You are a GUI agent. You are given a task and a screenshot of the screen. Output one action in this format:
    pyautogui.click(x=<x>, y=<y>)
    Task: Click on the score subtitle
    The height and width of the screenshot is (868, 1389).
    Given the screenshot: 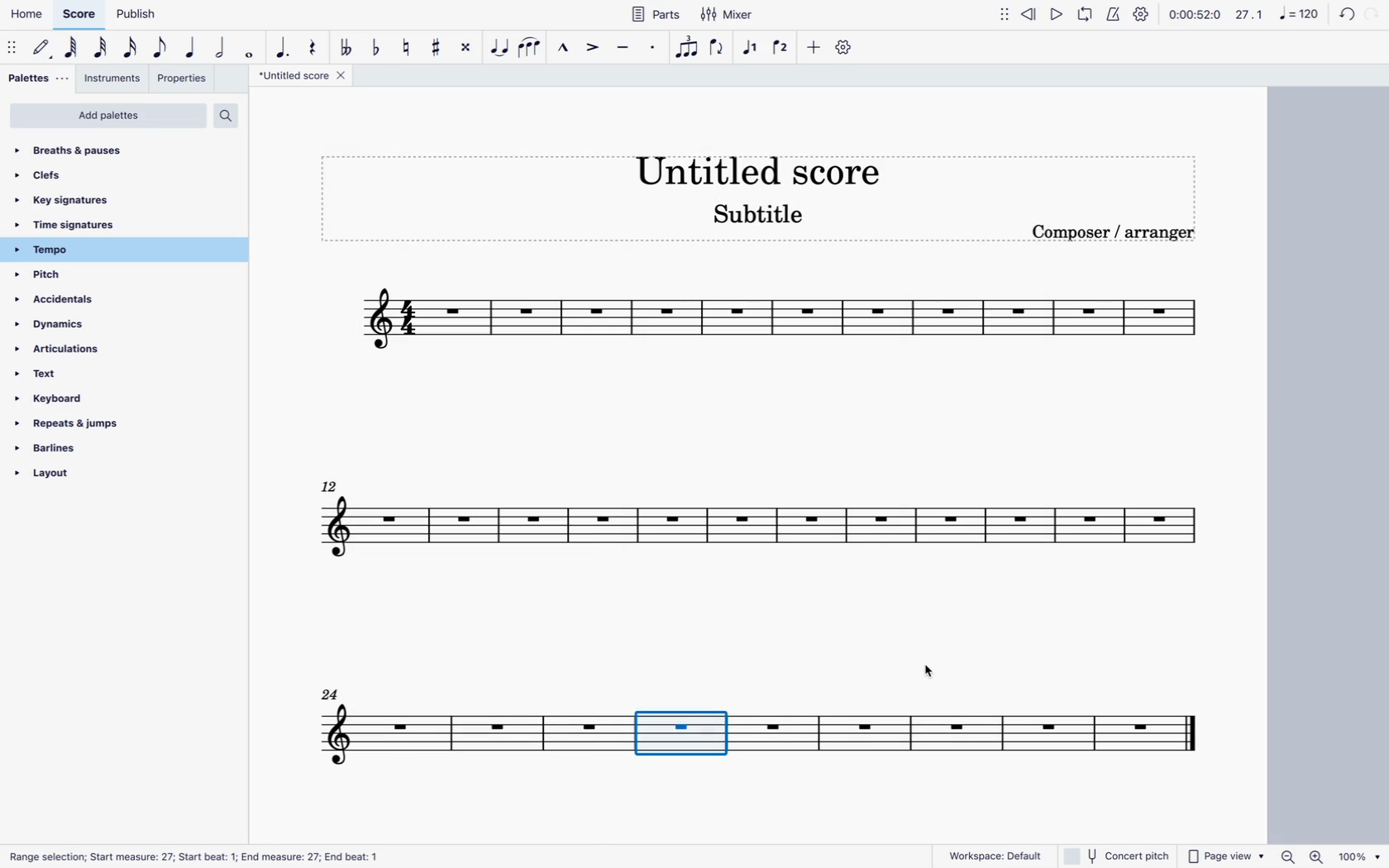 What is the action you would take?
    pyautogui.click(x=755, y=220)
    